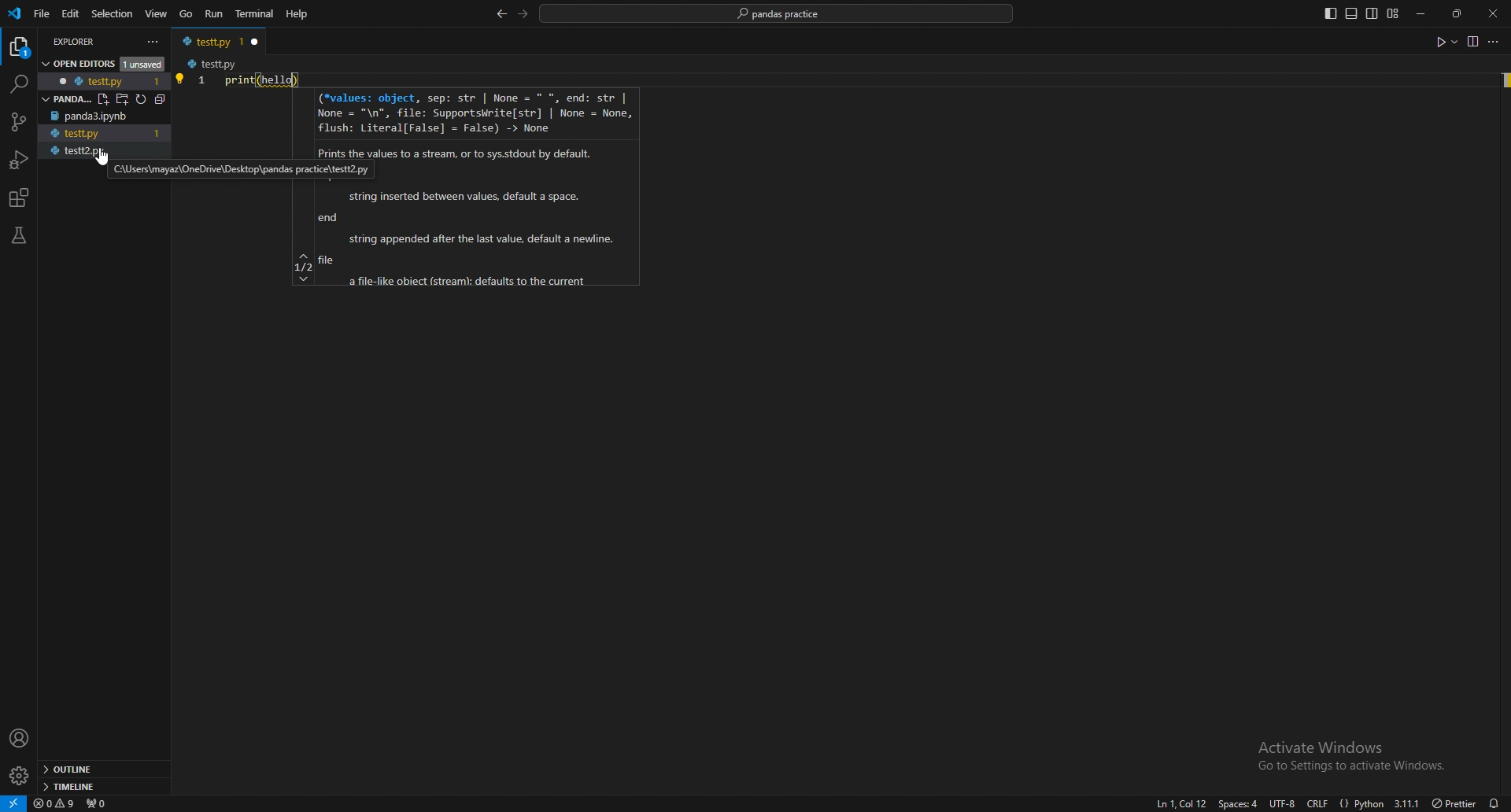 This screenshot has width=1511, height=812. Describe the element at coordinates (20, 776) in the screenshot. I see `settings` at that location.